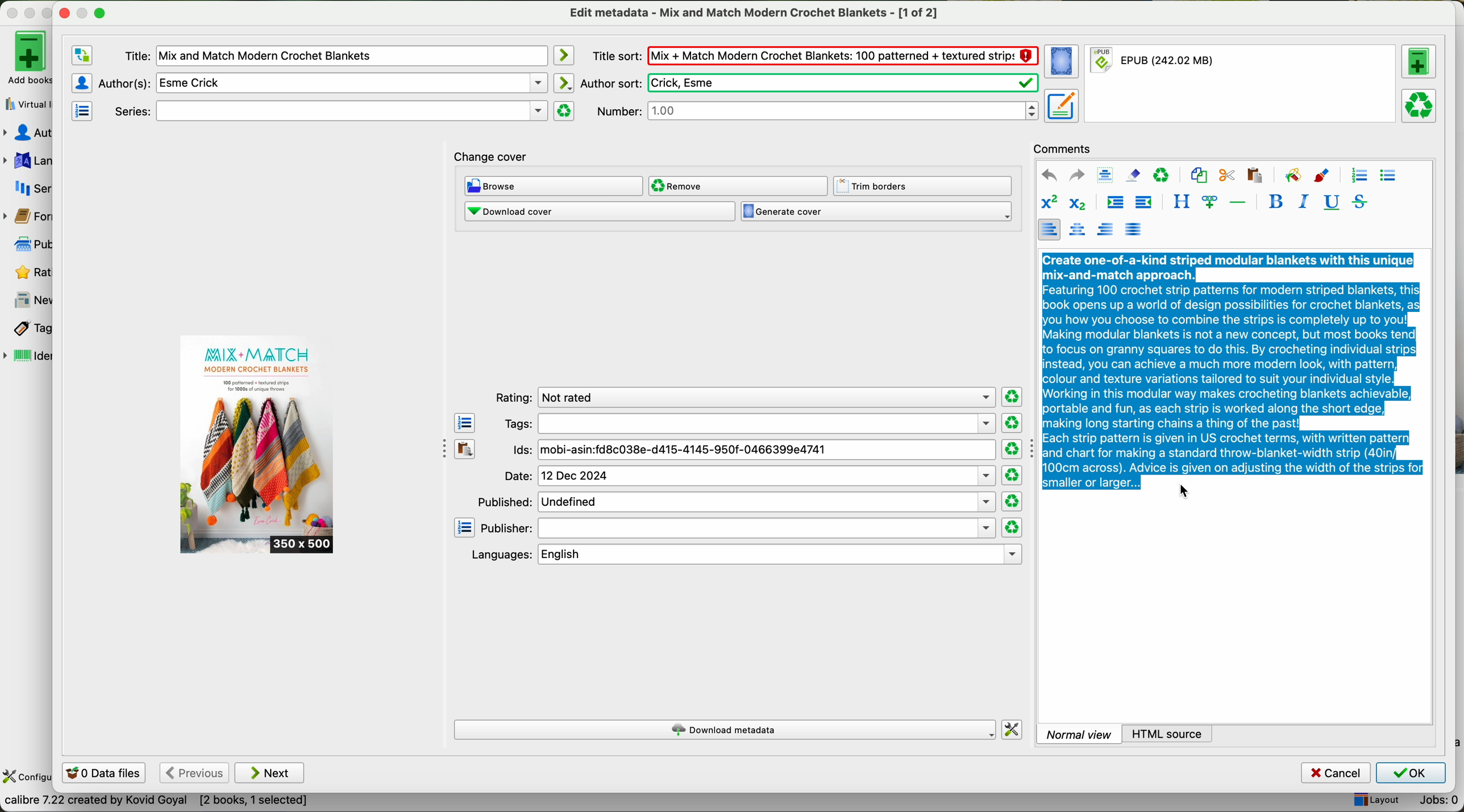 The width and height of the screenshot is (1464, 812). What do you see at coordinates (564, 111) in the screenshot?
I see `clear series` at bounding box center [564, 111].